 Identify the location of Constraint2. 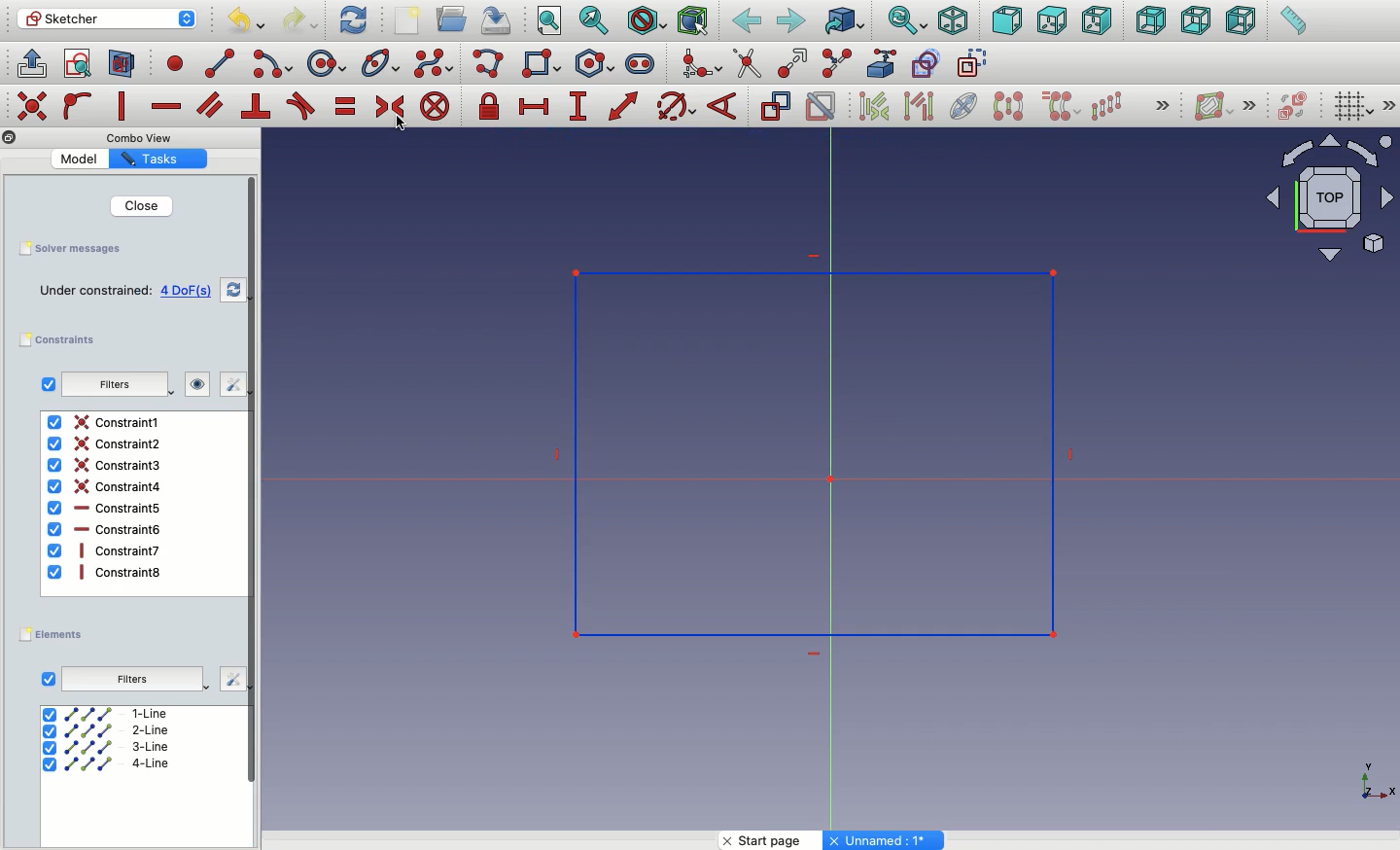
(103, 443).